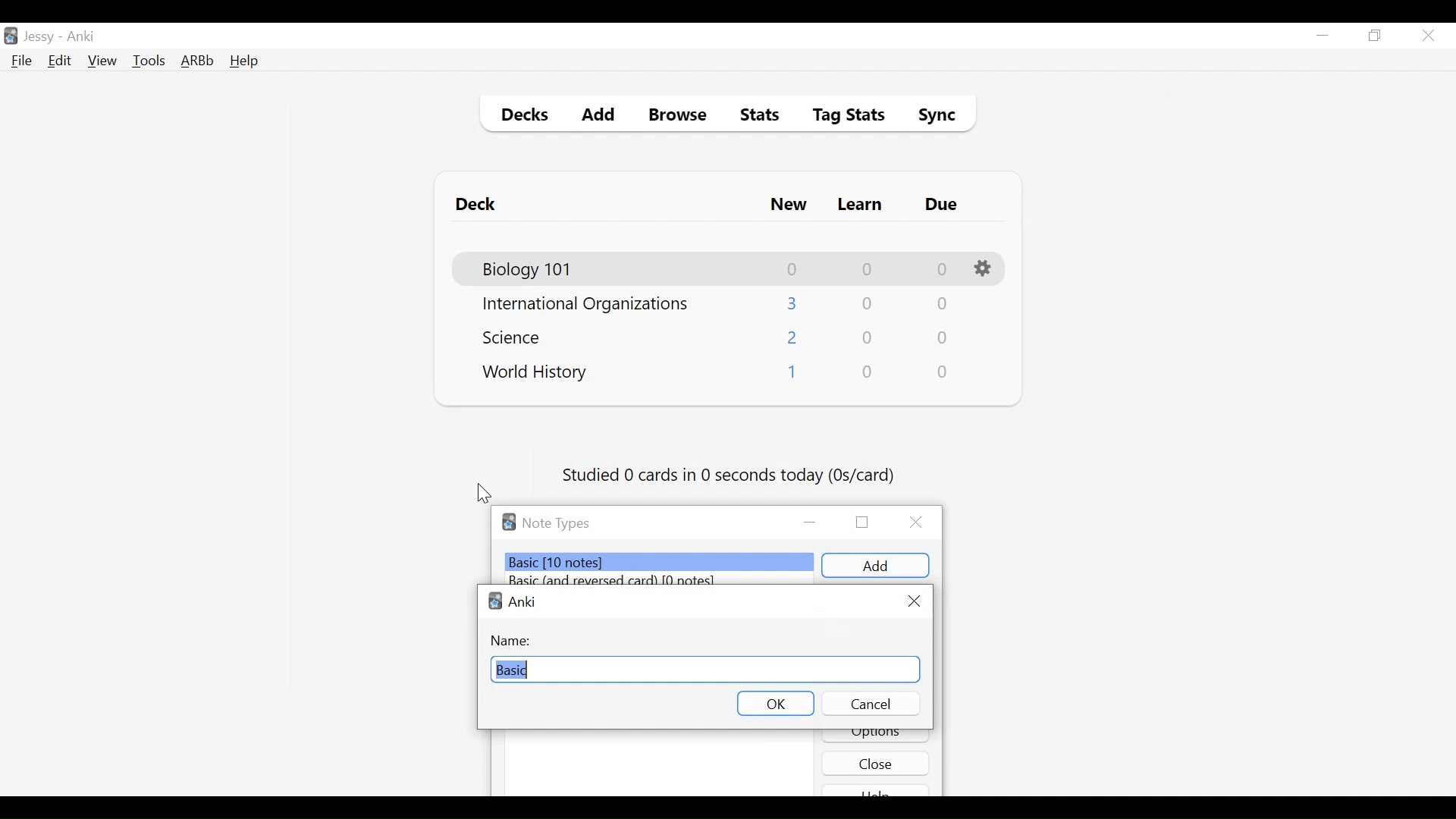 The height and width of the screenshot is (819, 1456). What do you see at coordinates (793, 303) in the screenshot?
I see `New Card Count` at bounding box center [793, 303].